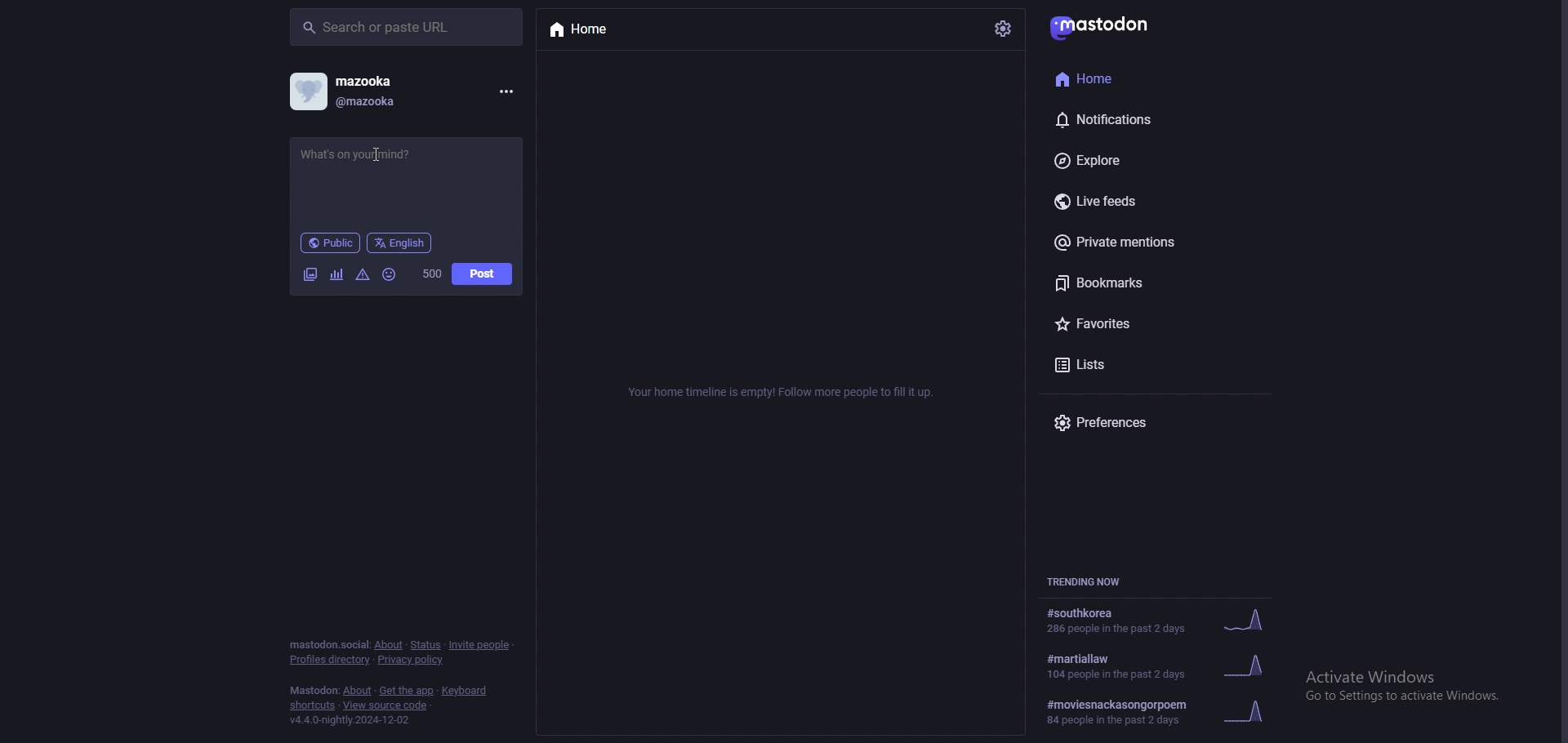 This screenshot has width=1568, height=743. I want to click on private mentions, so click(1147, 245).